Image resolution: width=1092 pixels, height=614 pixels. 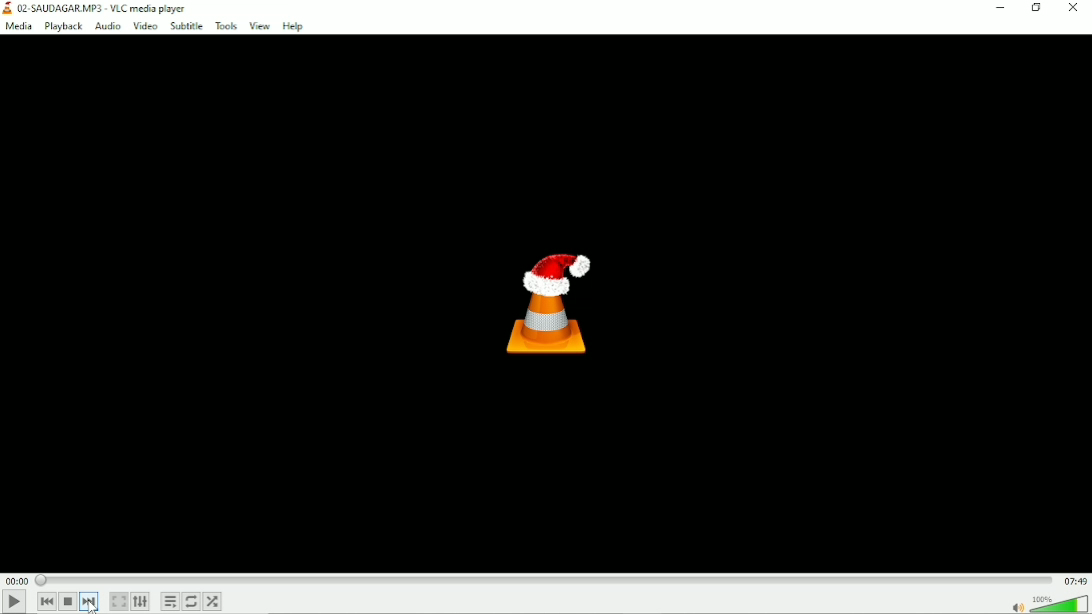 What do you see at coordinates (185, 26) in the screenshot?
I see `Subtitle` at bounding box center [185, 26].